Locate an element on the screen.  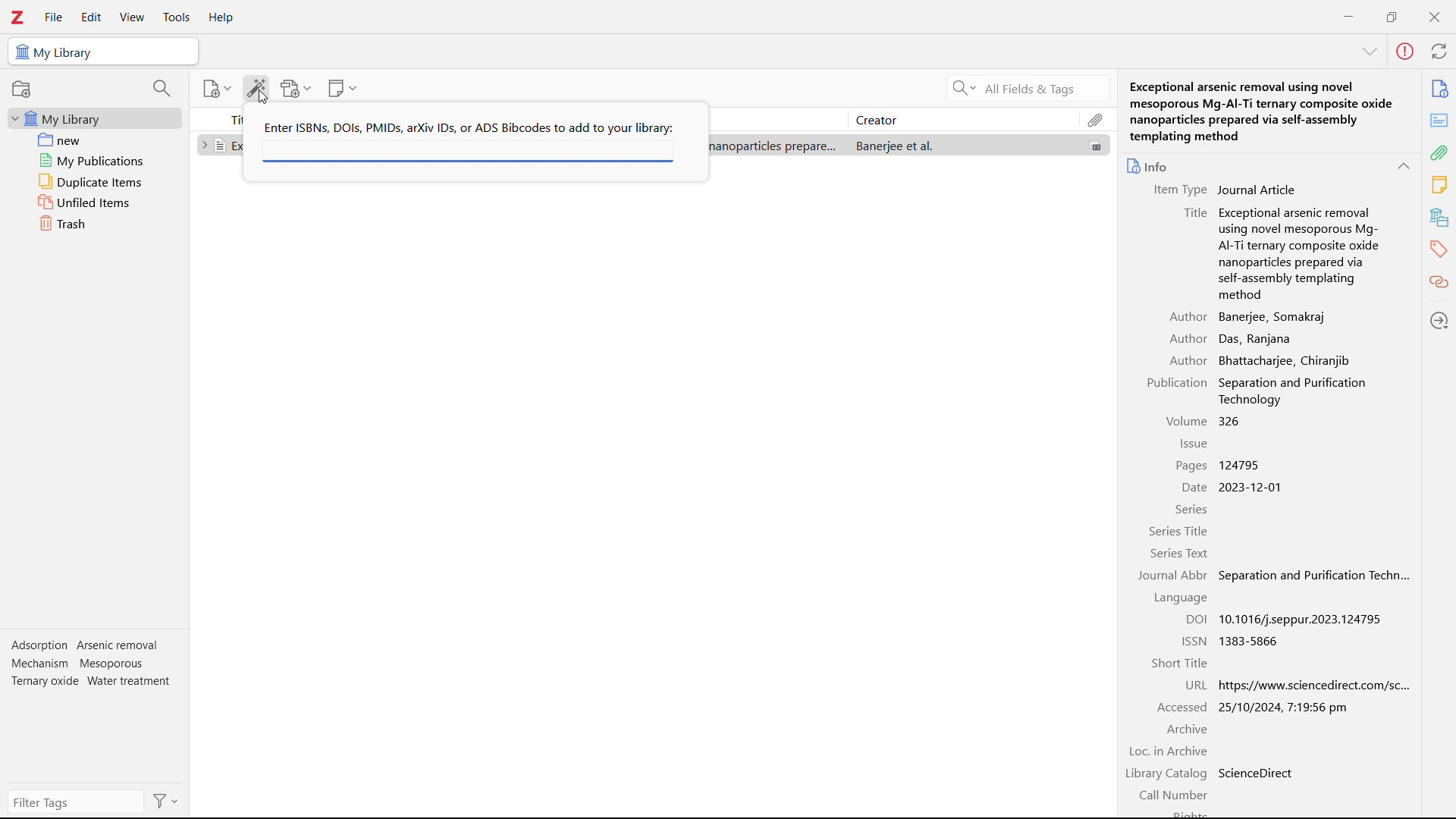
info is located at coordinates (1439, 89).